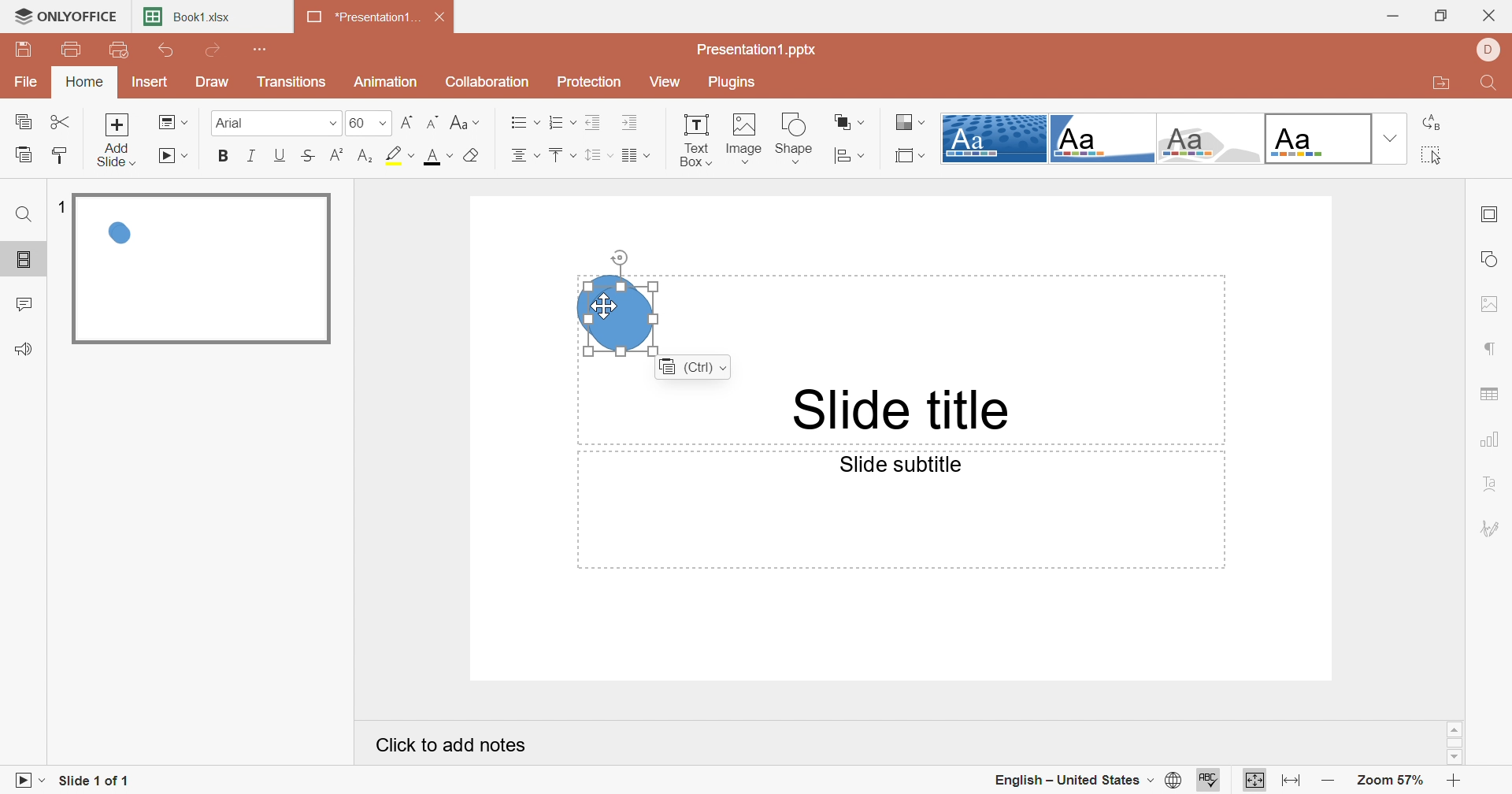  Describe the element at coordinates (215, 81) in the screenshot. I see `Draw` at that location.